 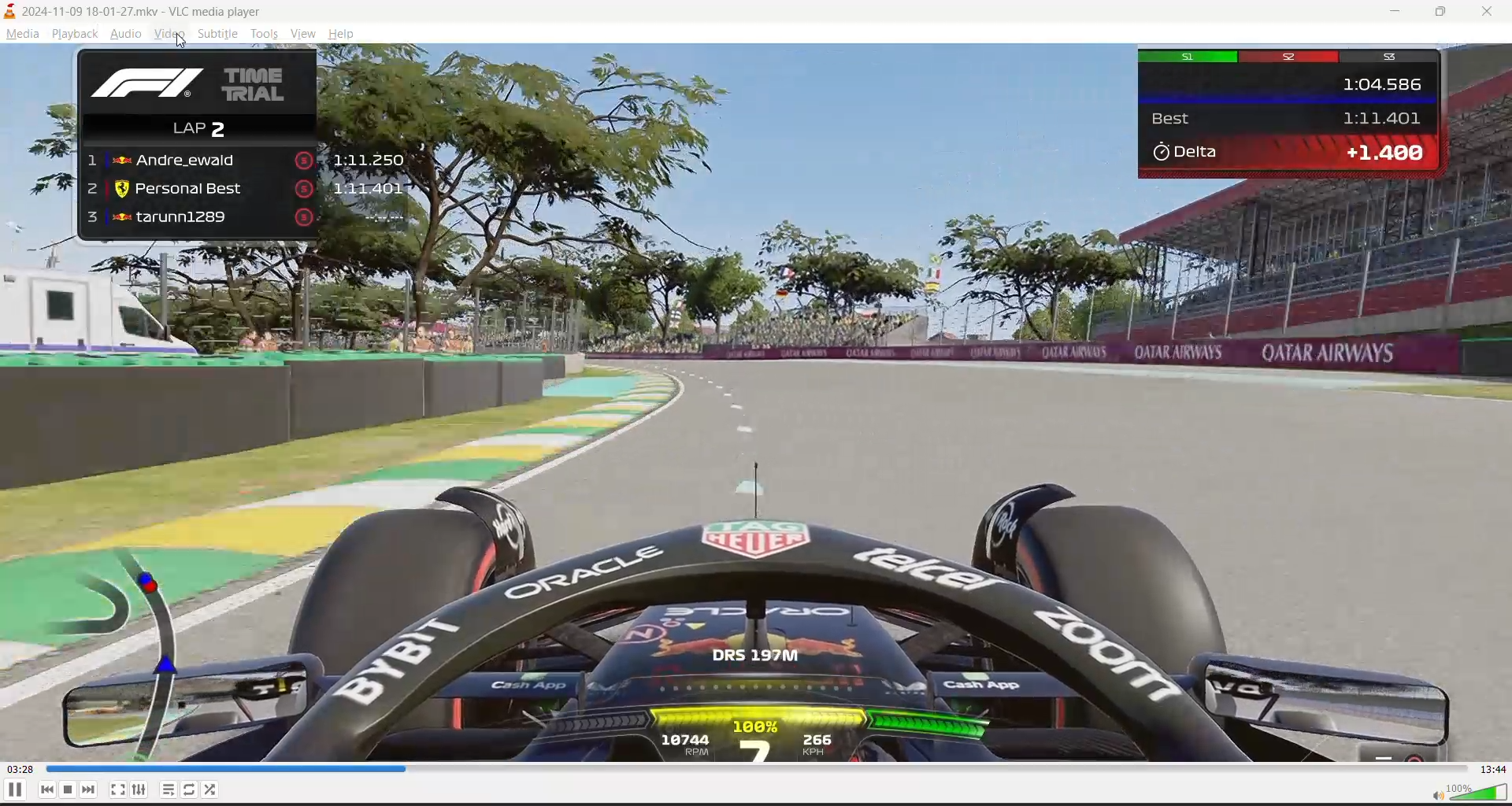 I want to click on pause, so click(x=13, y=789).